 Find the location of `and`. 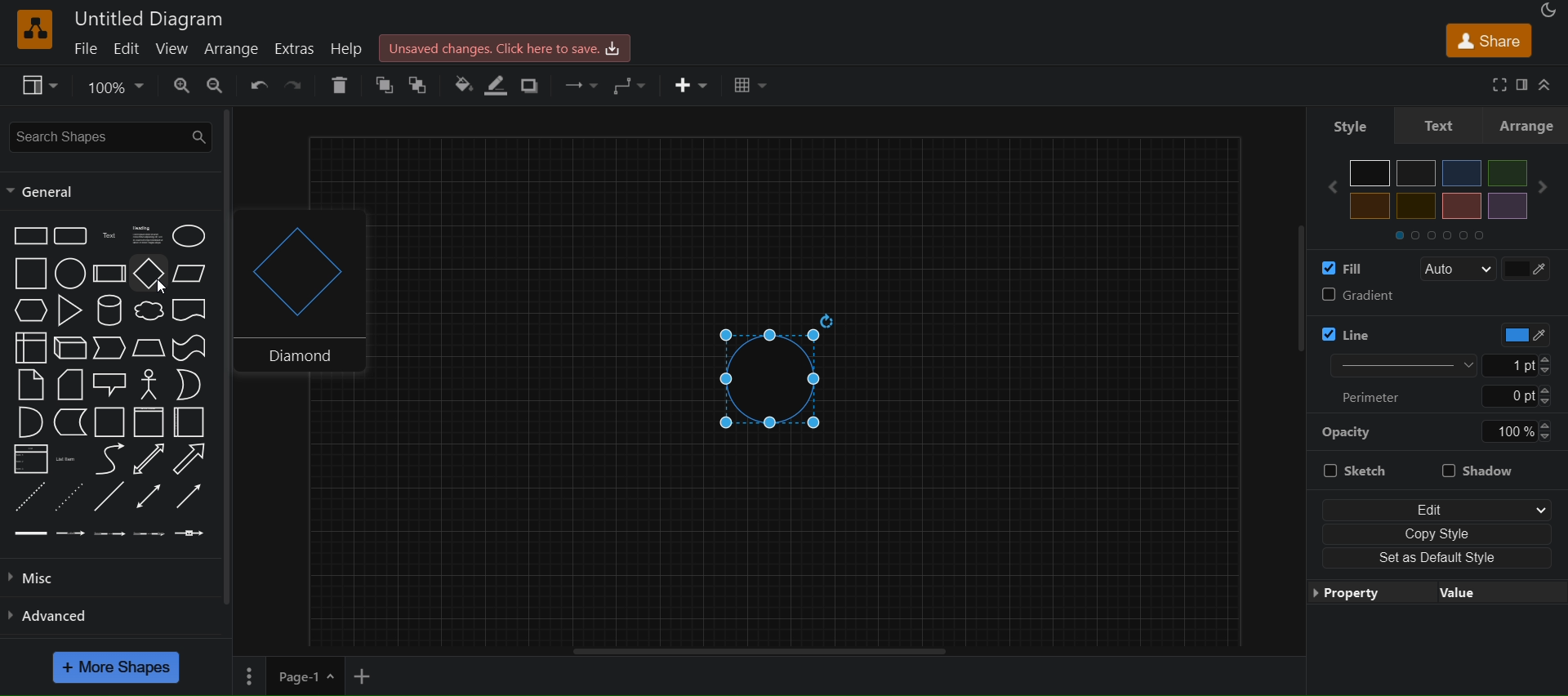

and is located at coordinates (29, 424).